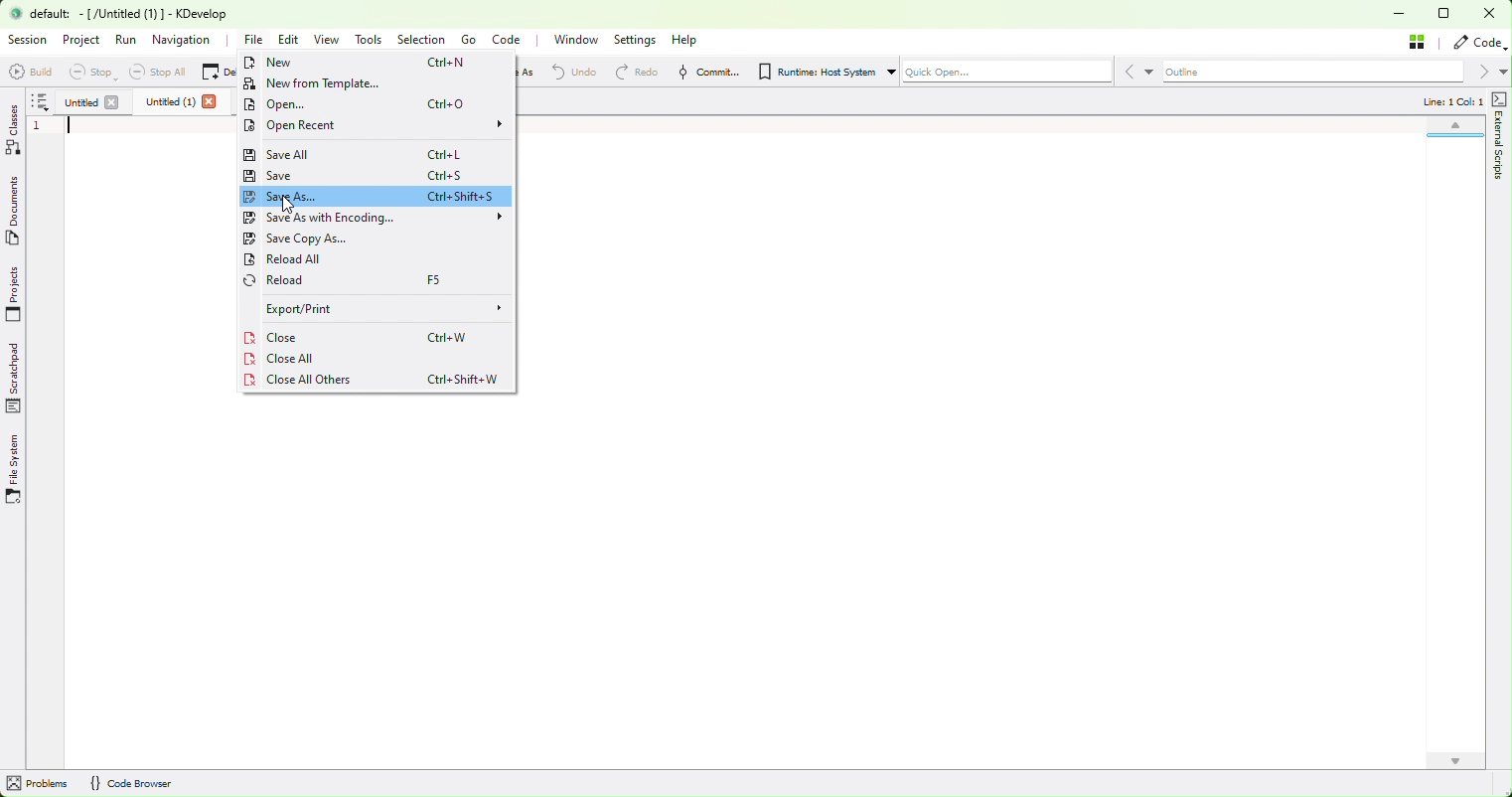  I want to click on Save all, so click(292, 154).